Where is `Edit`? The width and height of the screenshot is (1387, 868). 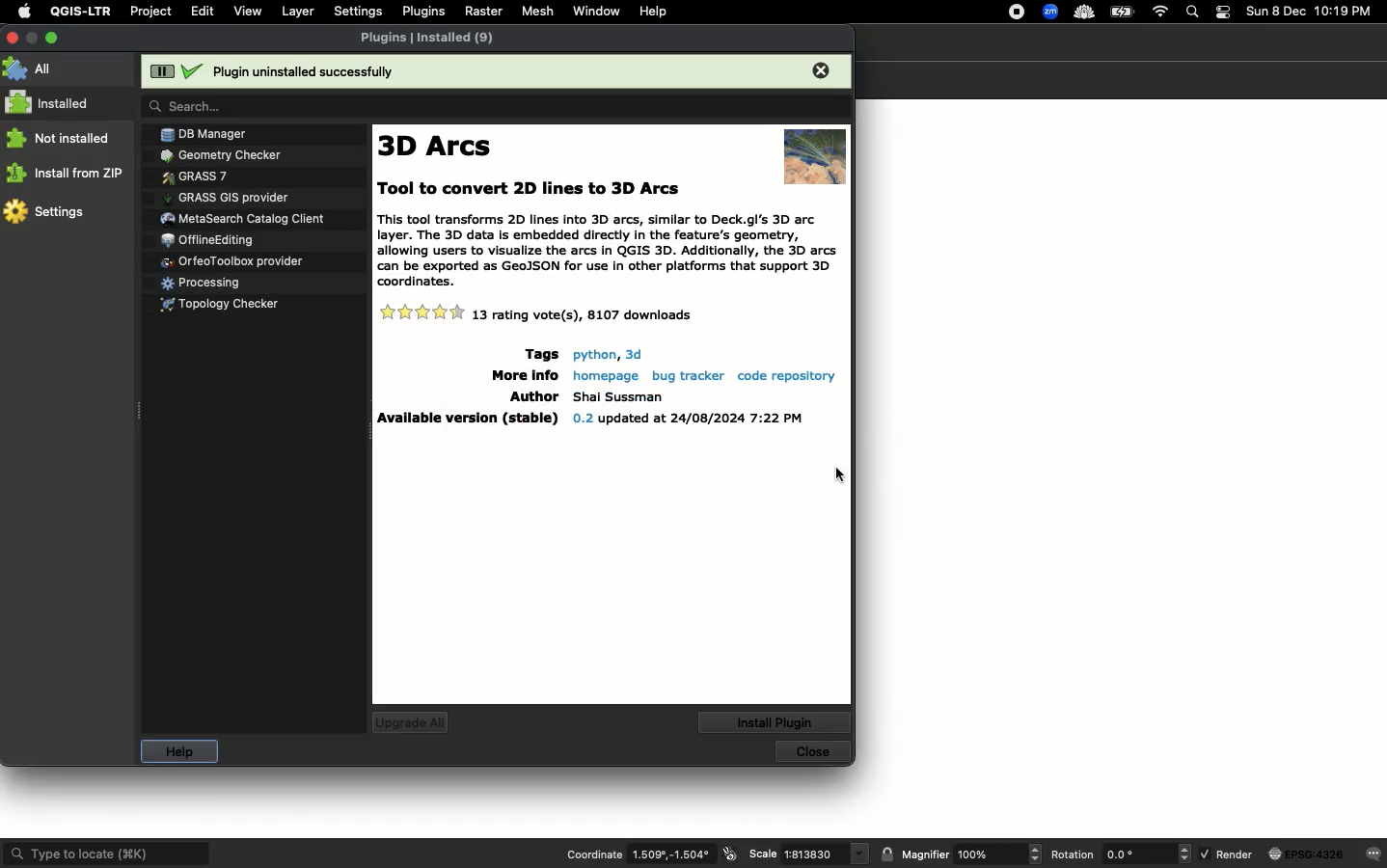 Edit is located at coordinates (202, 11).